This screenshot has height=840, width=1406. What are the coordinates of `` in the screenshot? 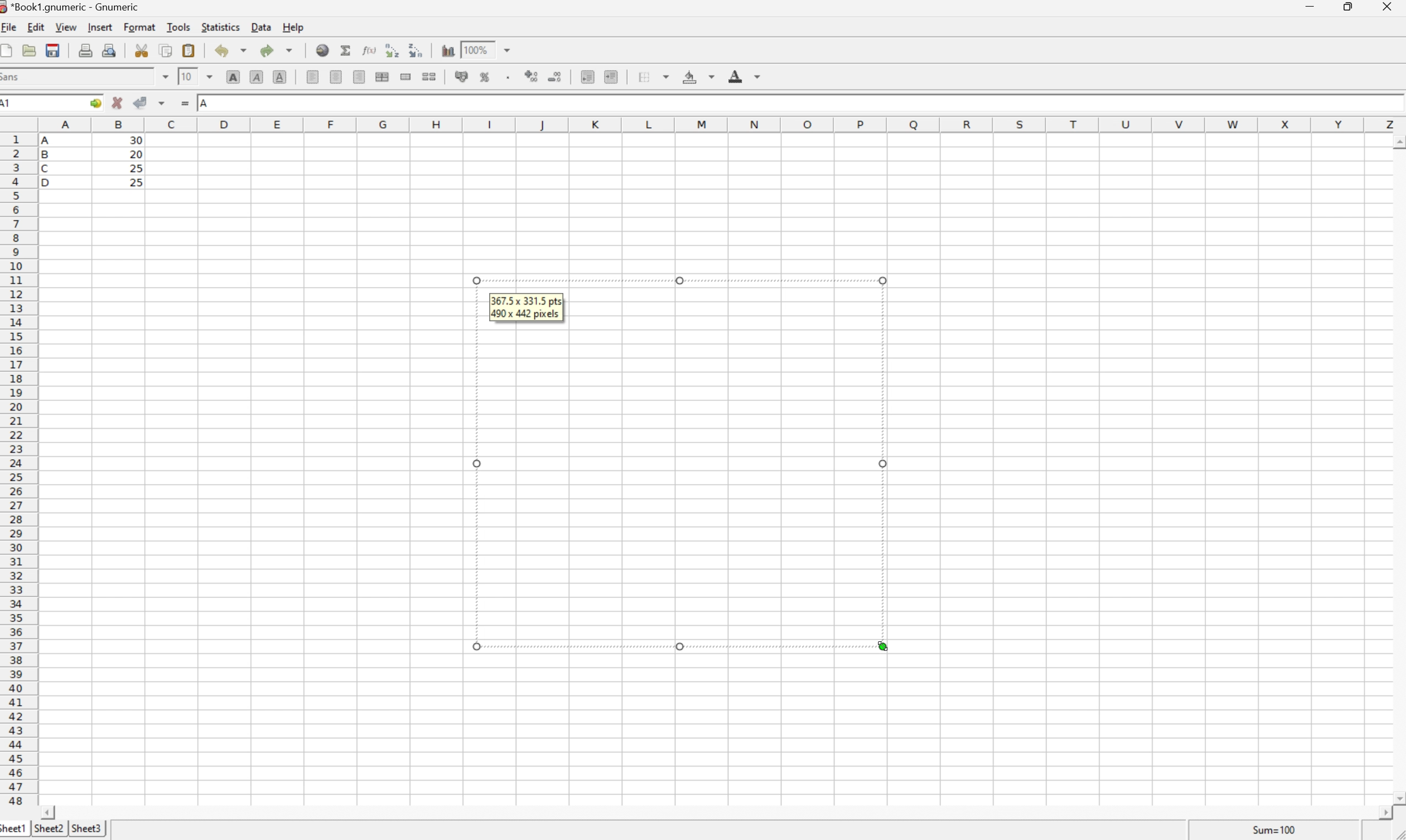 It's located at (475, 462).